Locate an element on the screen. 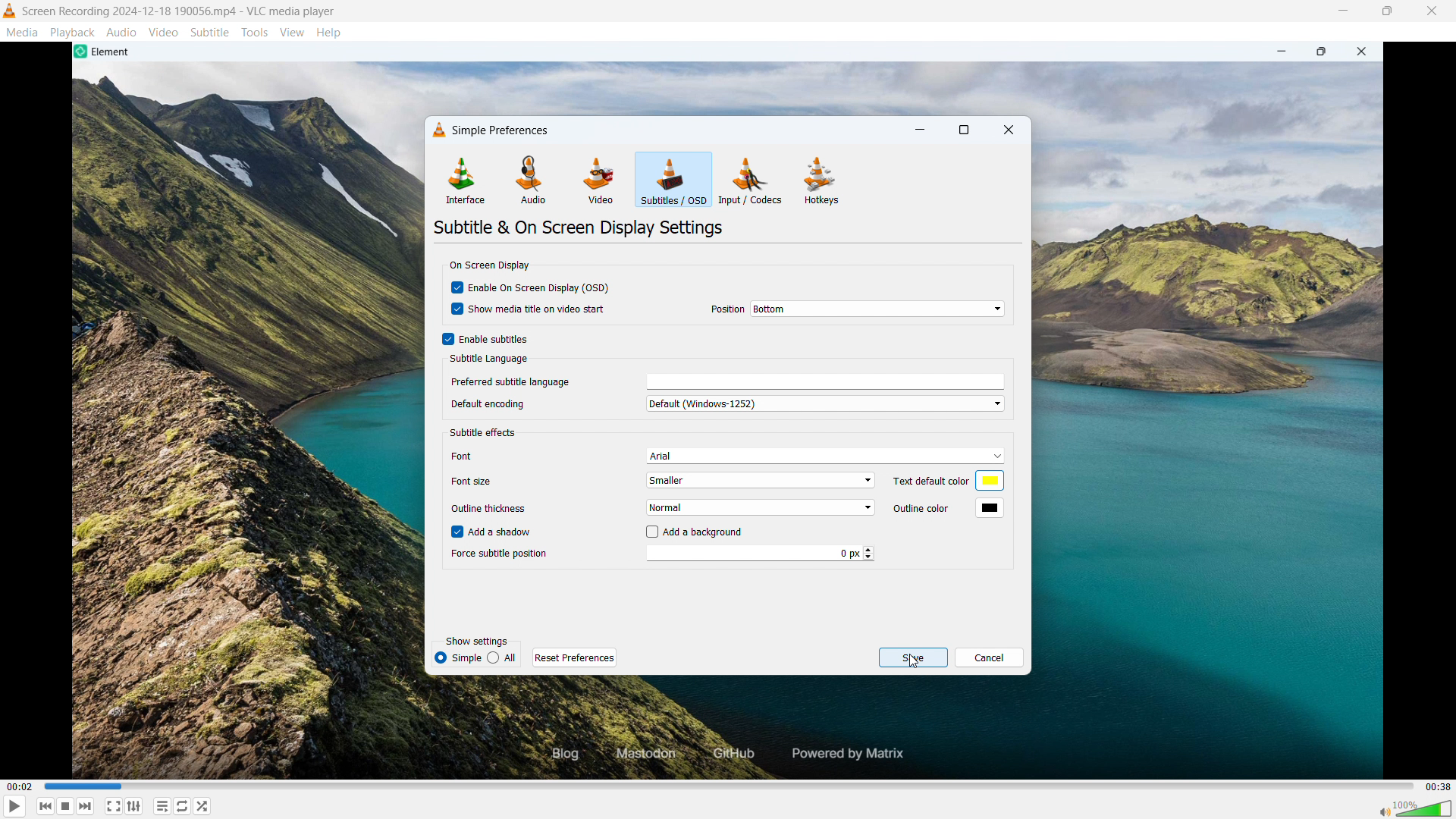 Image resolution: width=1456 pixels, height=819 pixels. Simple preferences  is located at coordinates (492, 127).